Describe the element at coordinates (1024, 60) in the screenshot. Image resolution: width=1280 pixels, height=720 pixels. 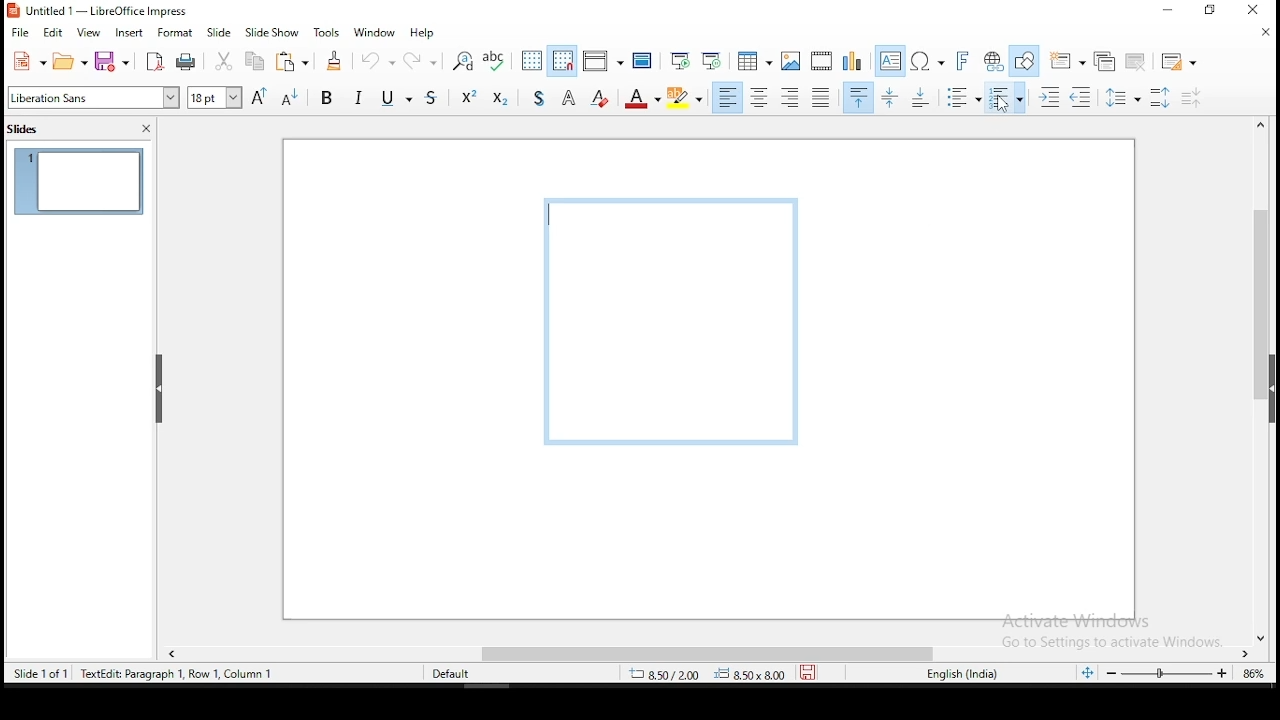
I see `show draw functions` at that location.